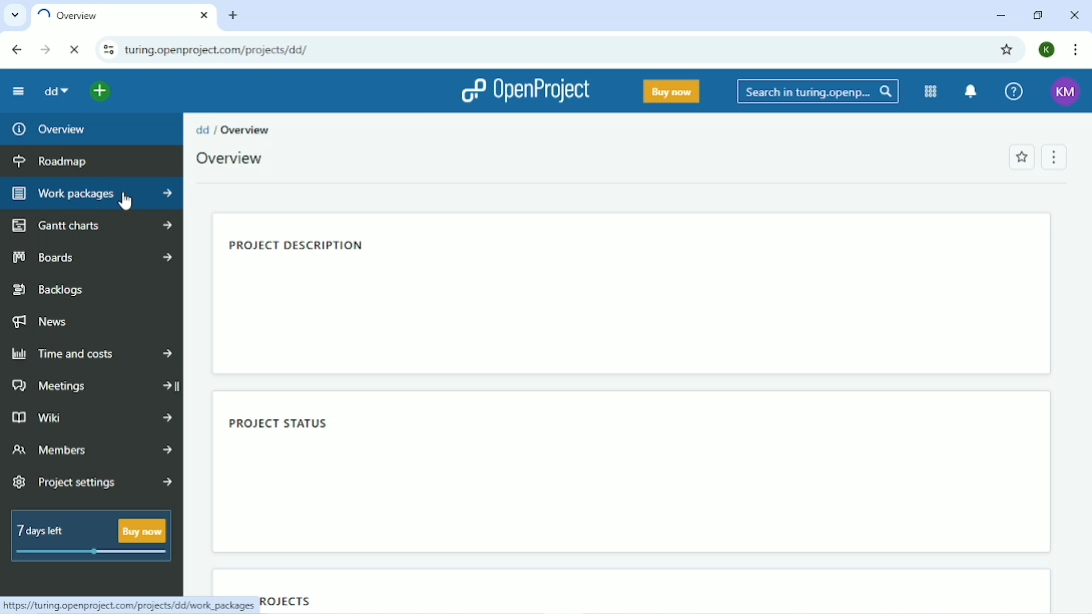 Image resolution: width=1092 pixels, height=614 pixels. What do you see at coordinates (91, 353) in the screenshot?
I see `Time and costs` at bounding box center [91, 353].